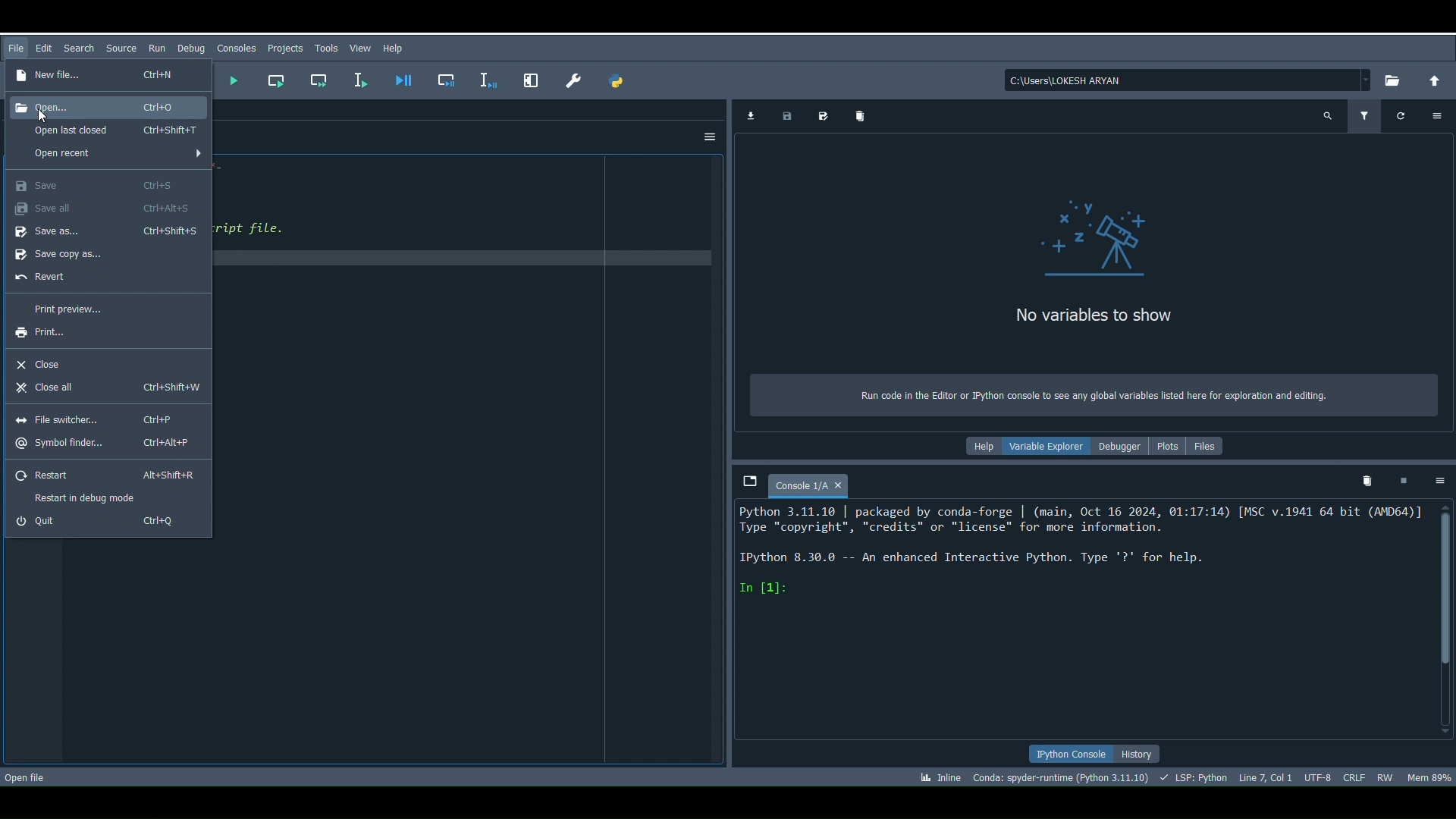 The width and height of the screenshot is (1456, 819). What do you see at coordinates (1166, 444) in the screenshot?
I see `Plots` at bounding box center [1166, 444].